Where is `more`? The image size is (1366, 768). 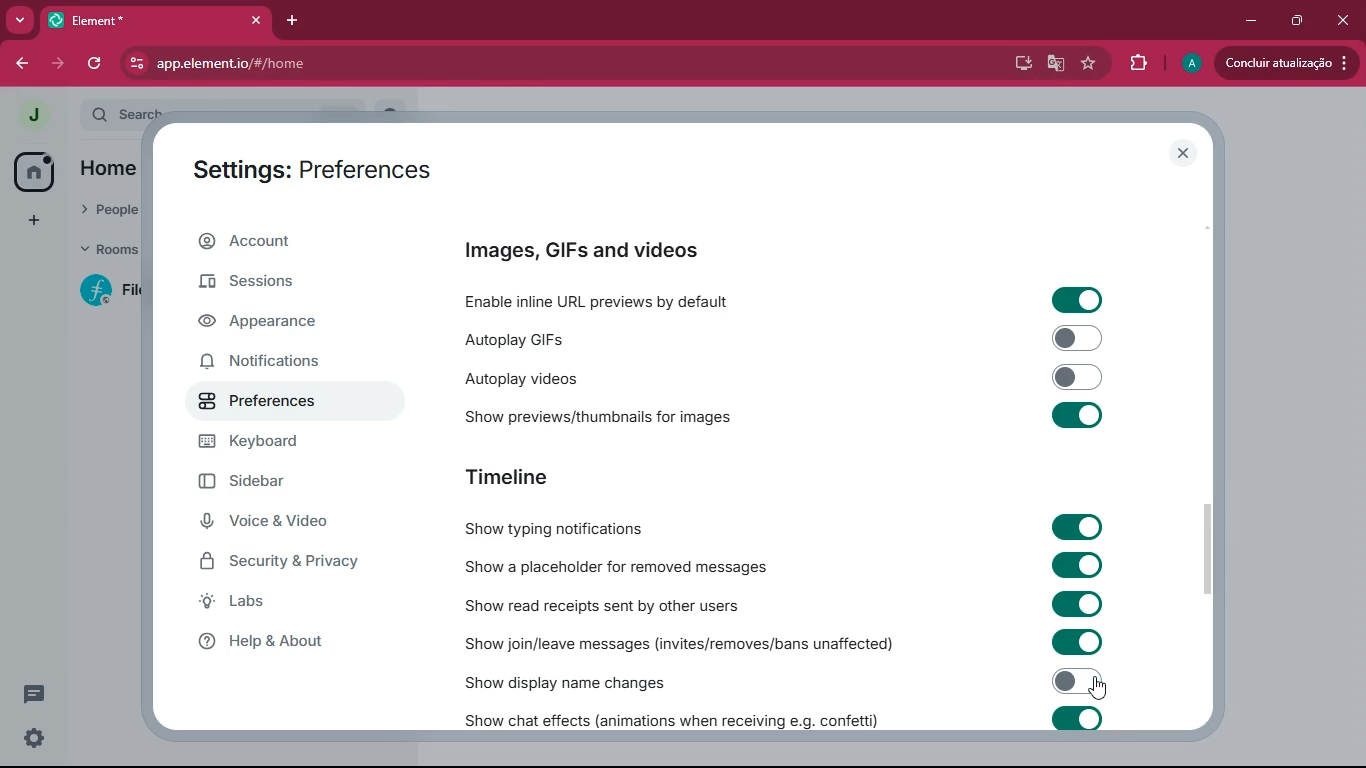
more is located at coordinates (20, 21).